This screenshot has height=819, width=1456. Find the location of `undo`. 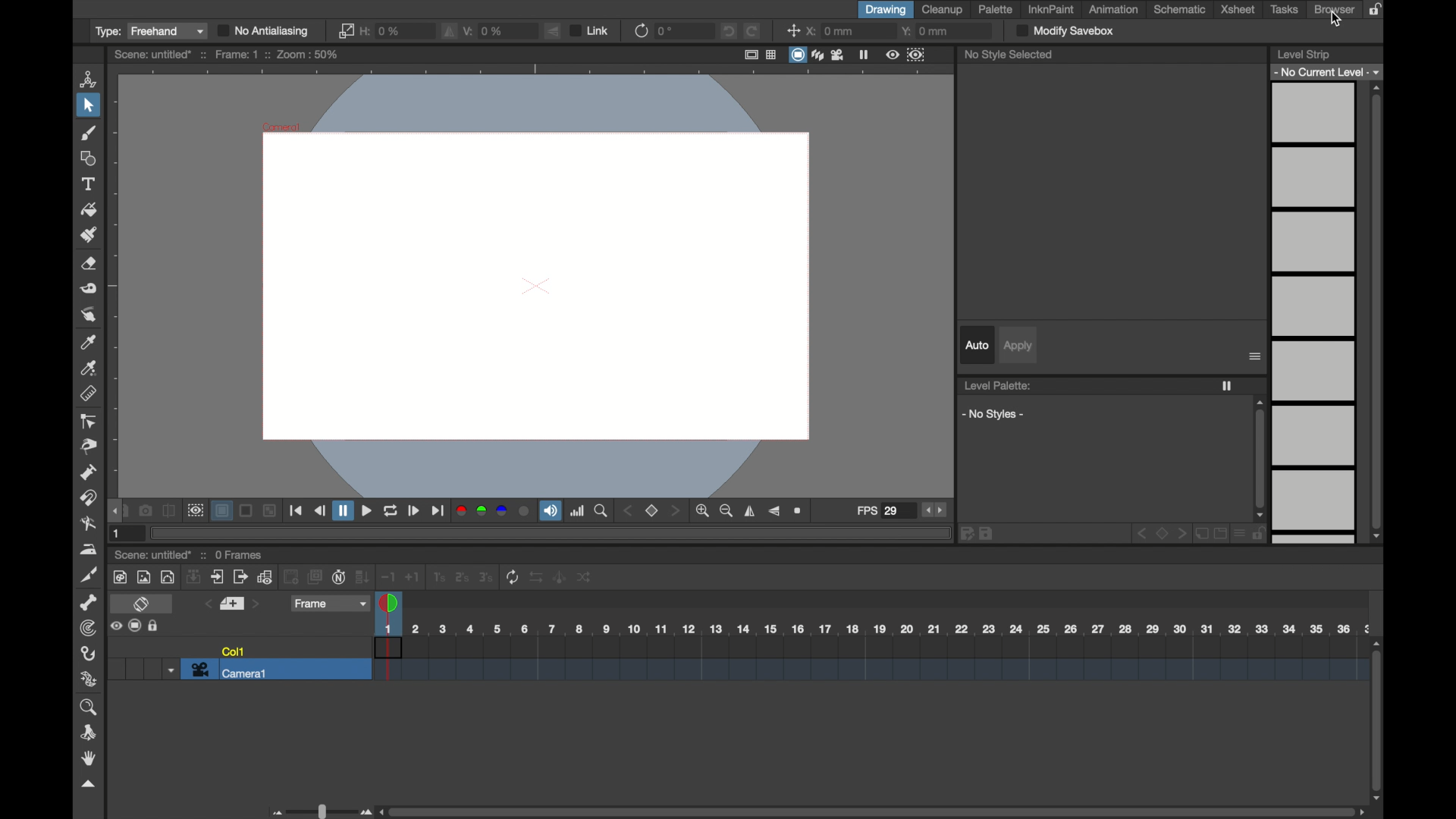

undo is located at coordinates (729, 31).